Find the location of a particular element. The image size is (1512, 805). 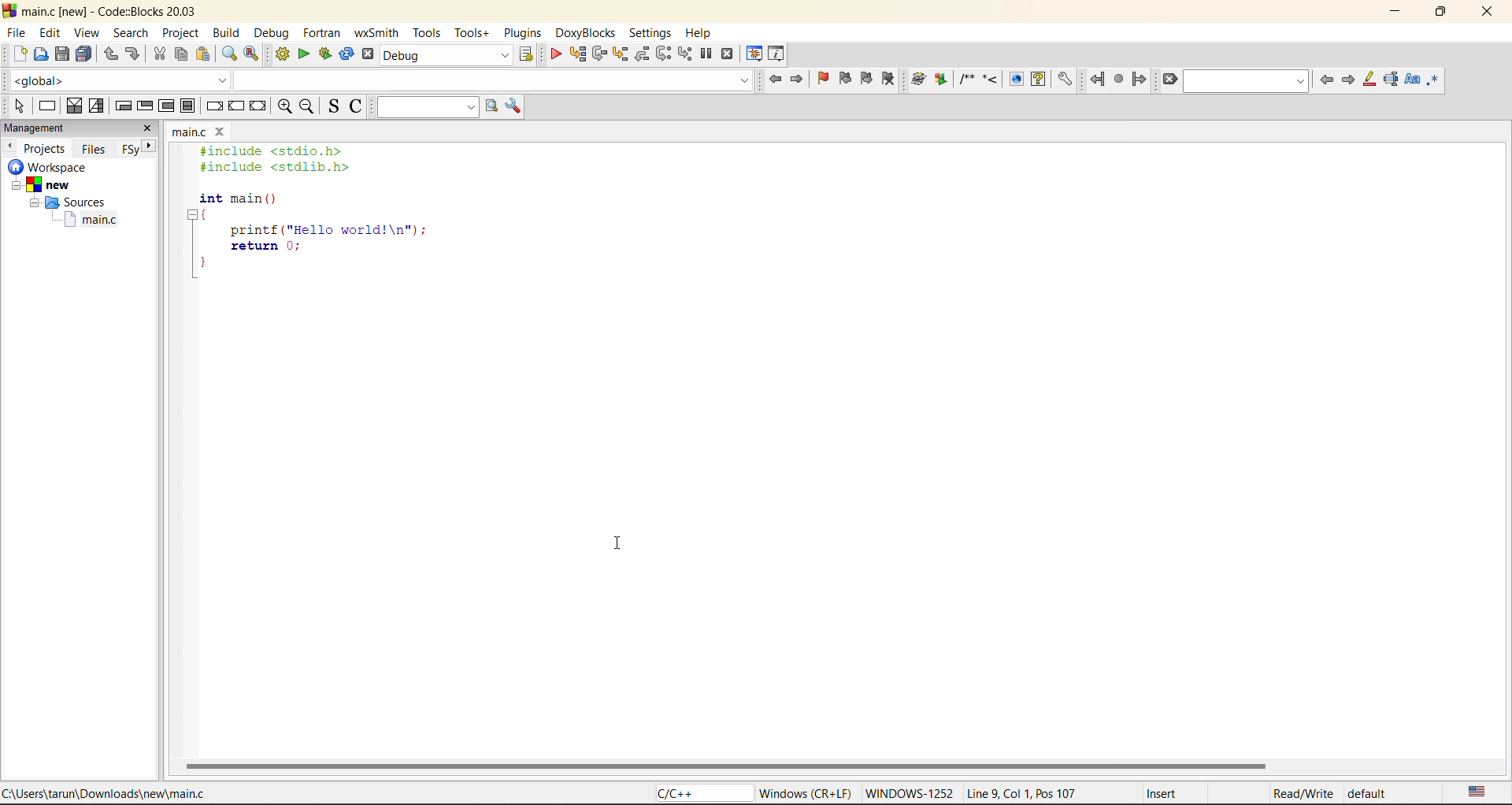

Windows (CR+LF) is located at coordinates (802, 792).